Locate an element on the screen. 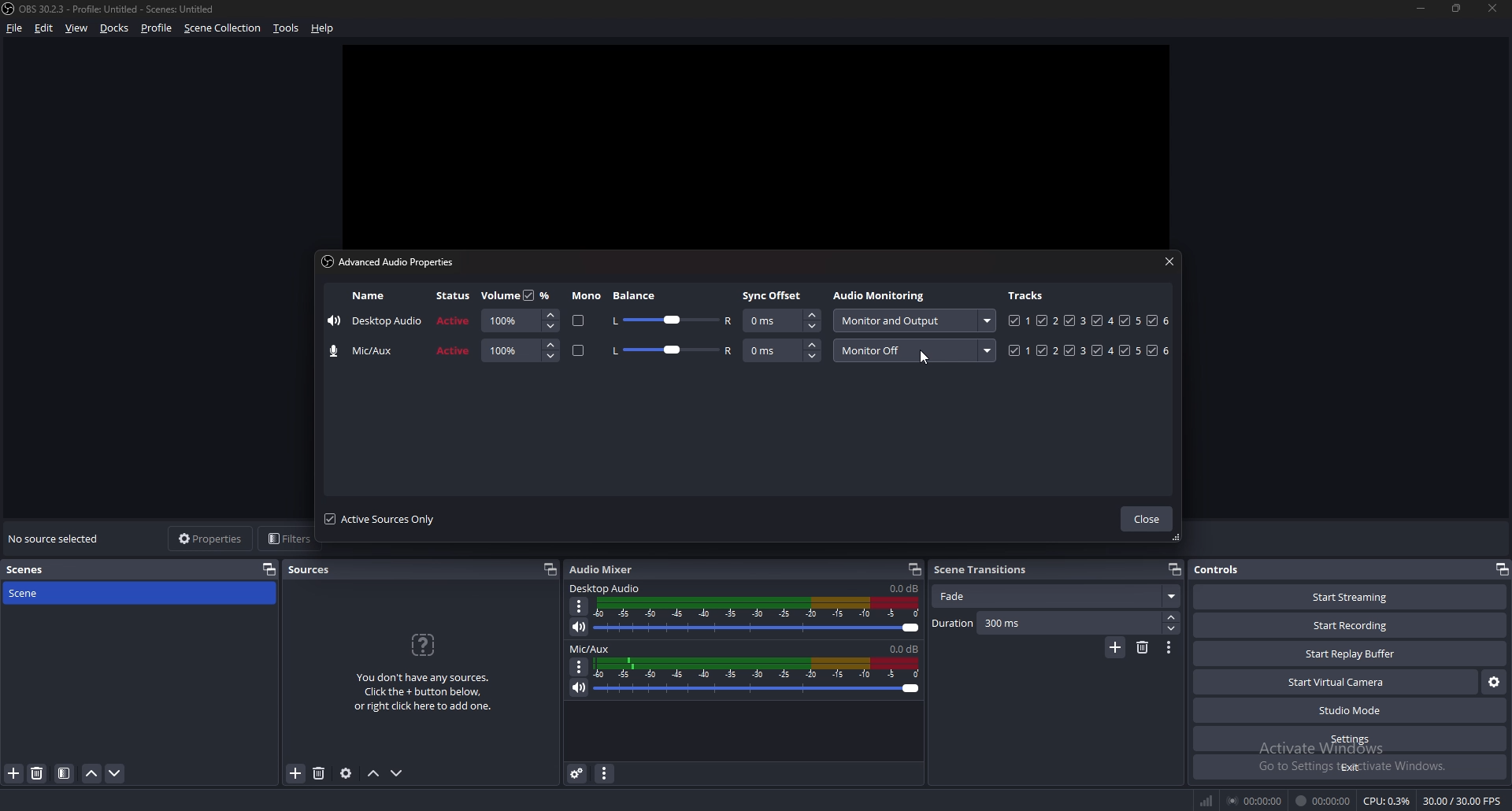  configure virtual camera is located at coordinates (1494, 683).